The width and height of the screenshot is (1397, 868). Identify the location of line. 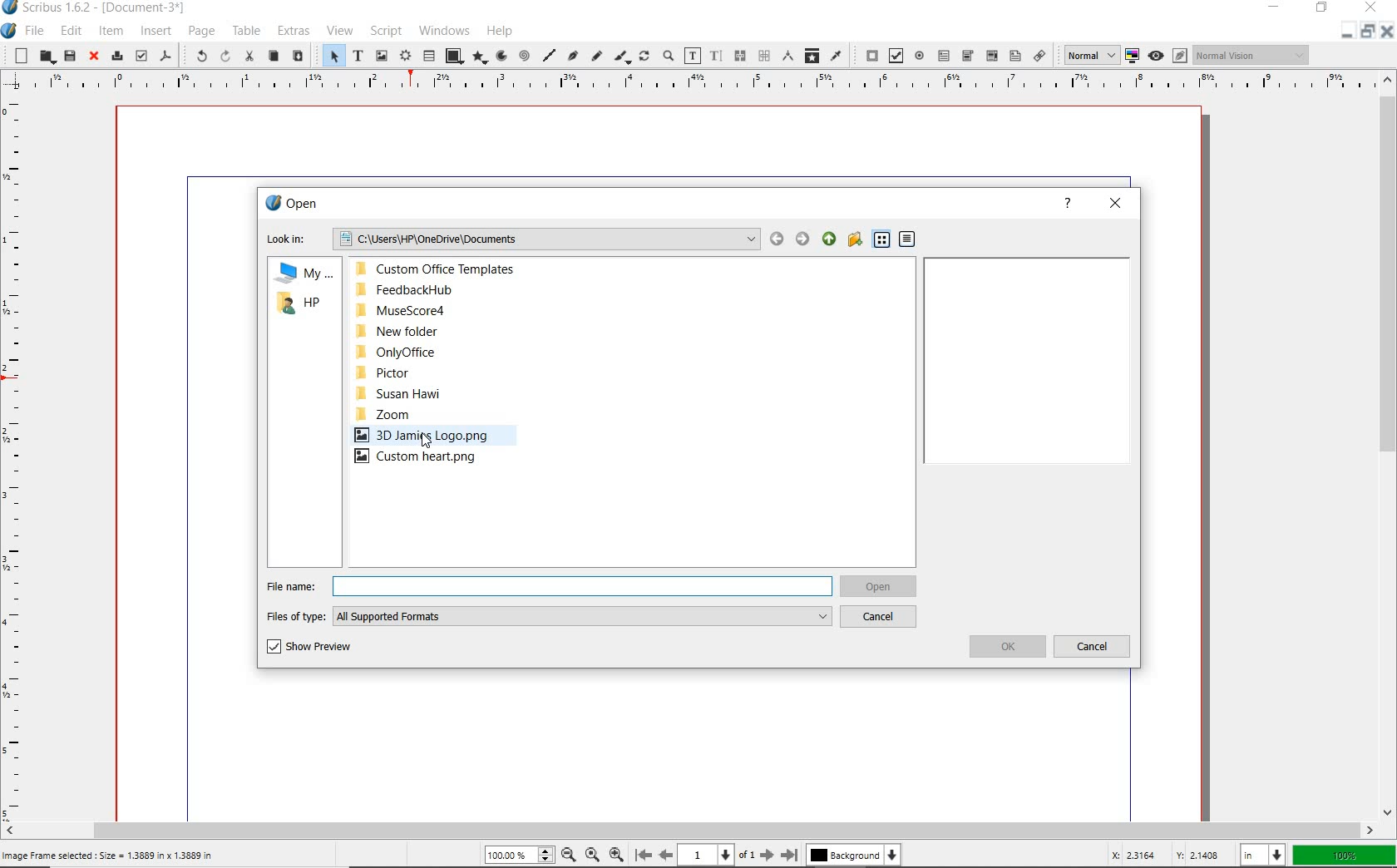
(549, 55).